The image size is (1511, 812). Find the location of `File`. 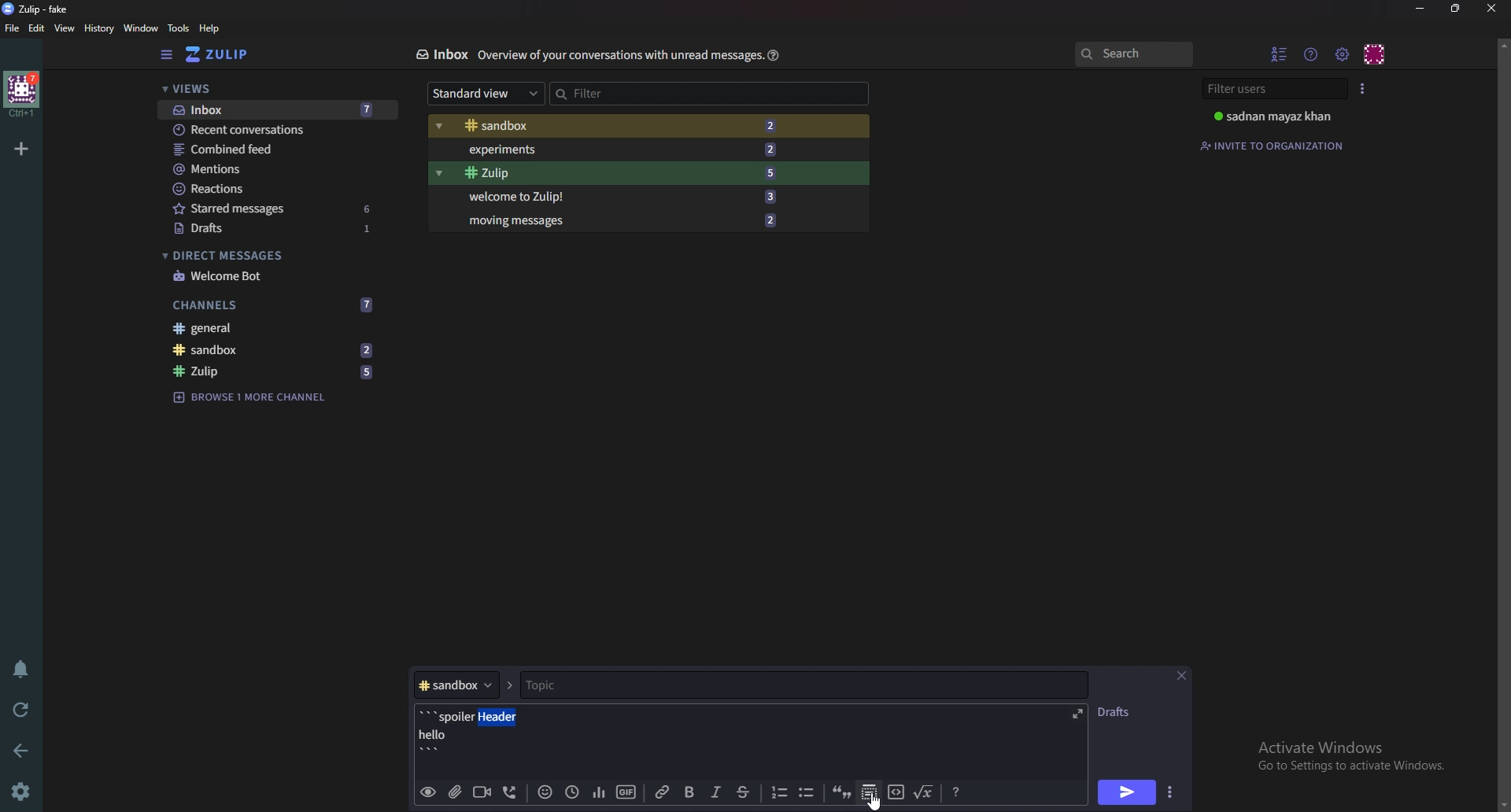

File is located at coordinates (15, 28).